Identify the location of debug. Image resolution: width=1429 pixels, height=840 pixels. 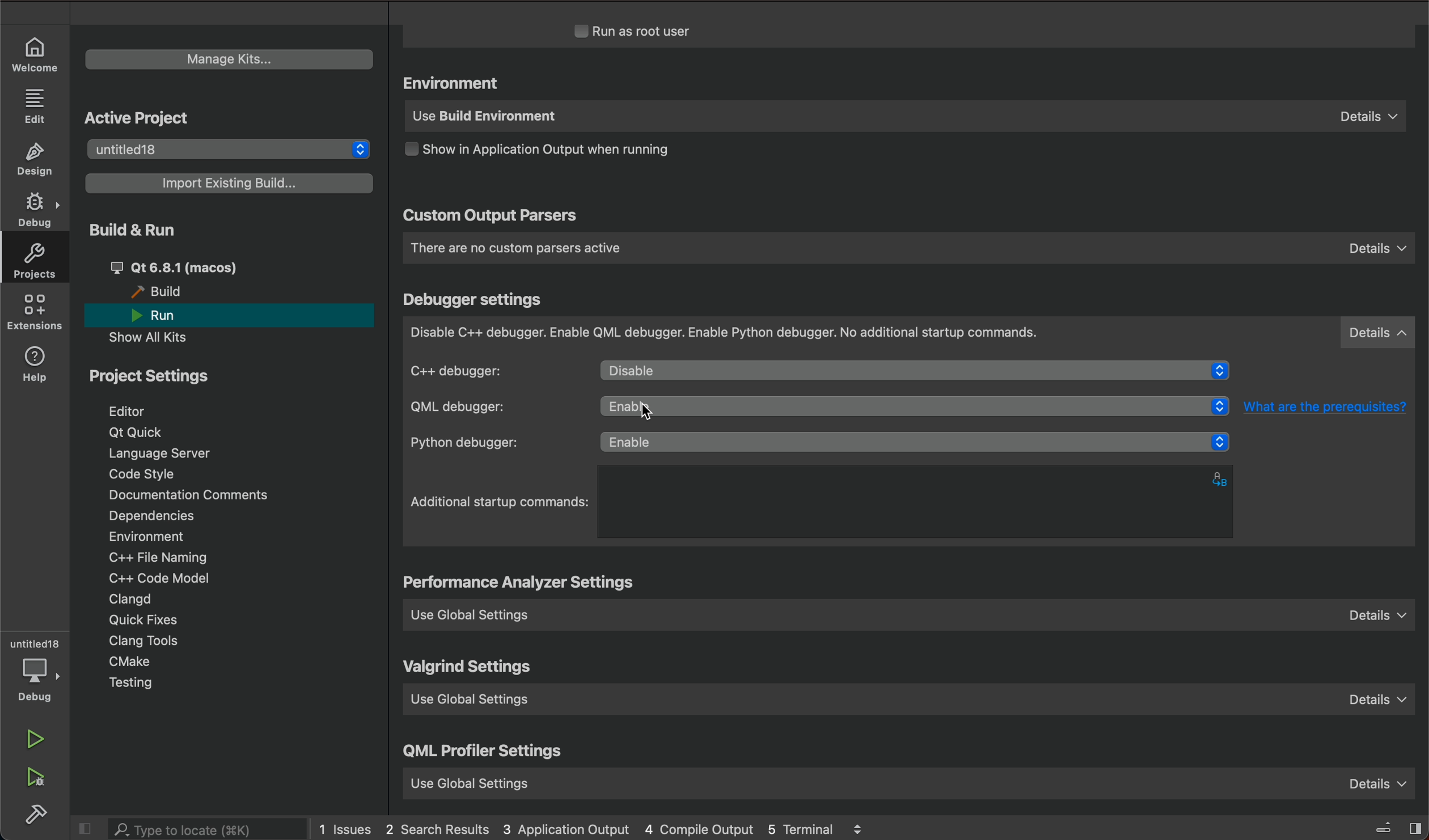
(40, 680).